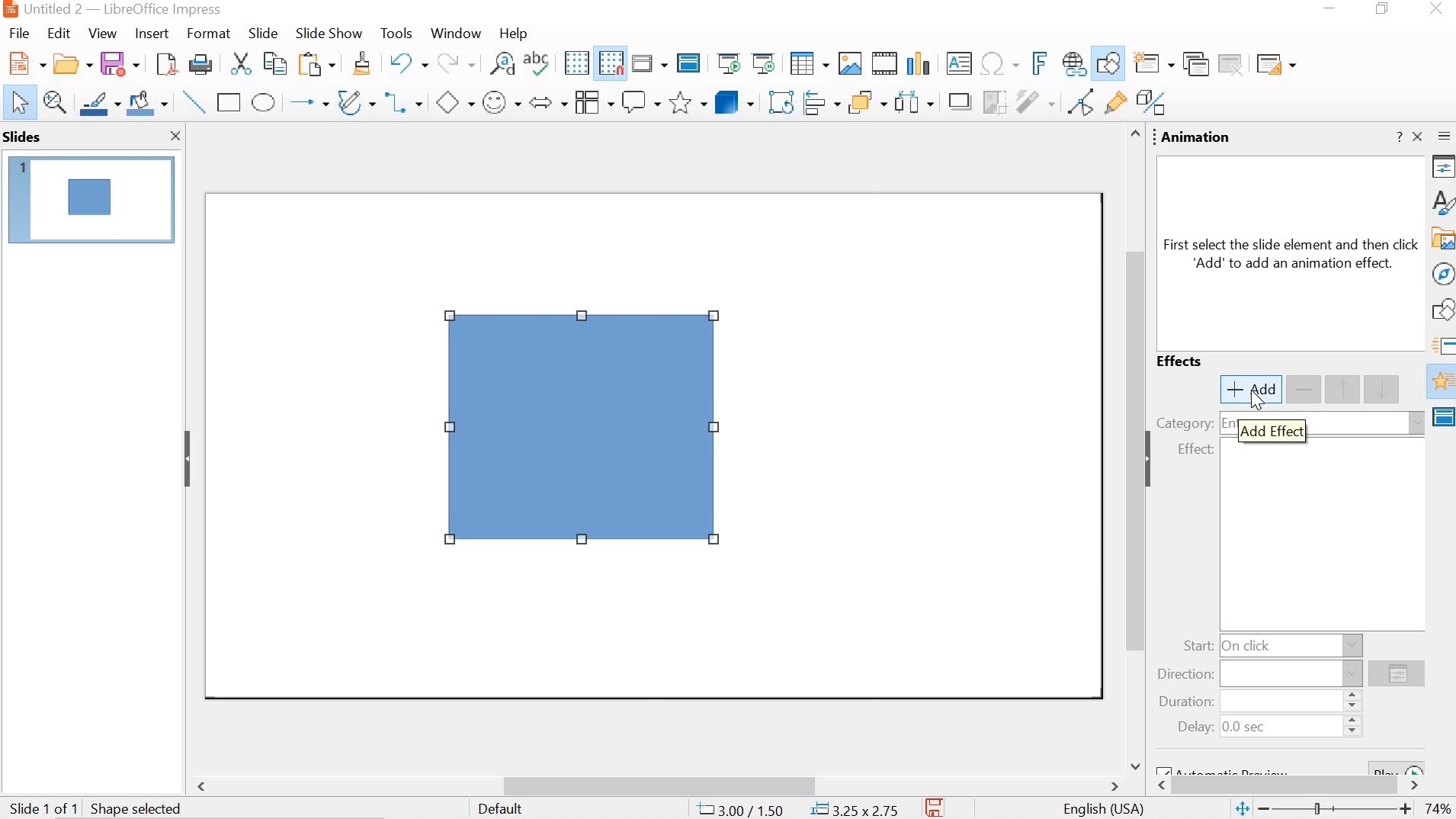  What do you see at coordinates (152, 34) in the screenshot?
I see `insert` at bounding box center [152, 34].